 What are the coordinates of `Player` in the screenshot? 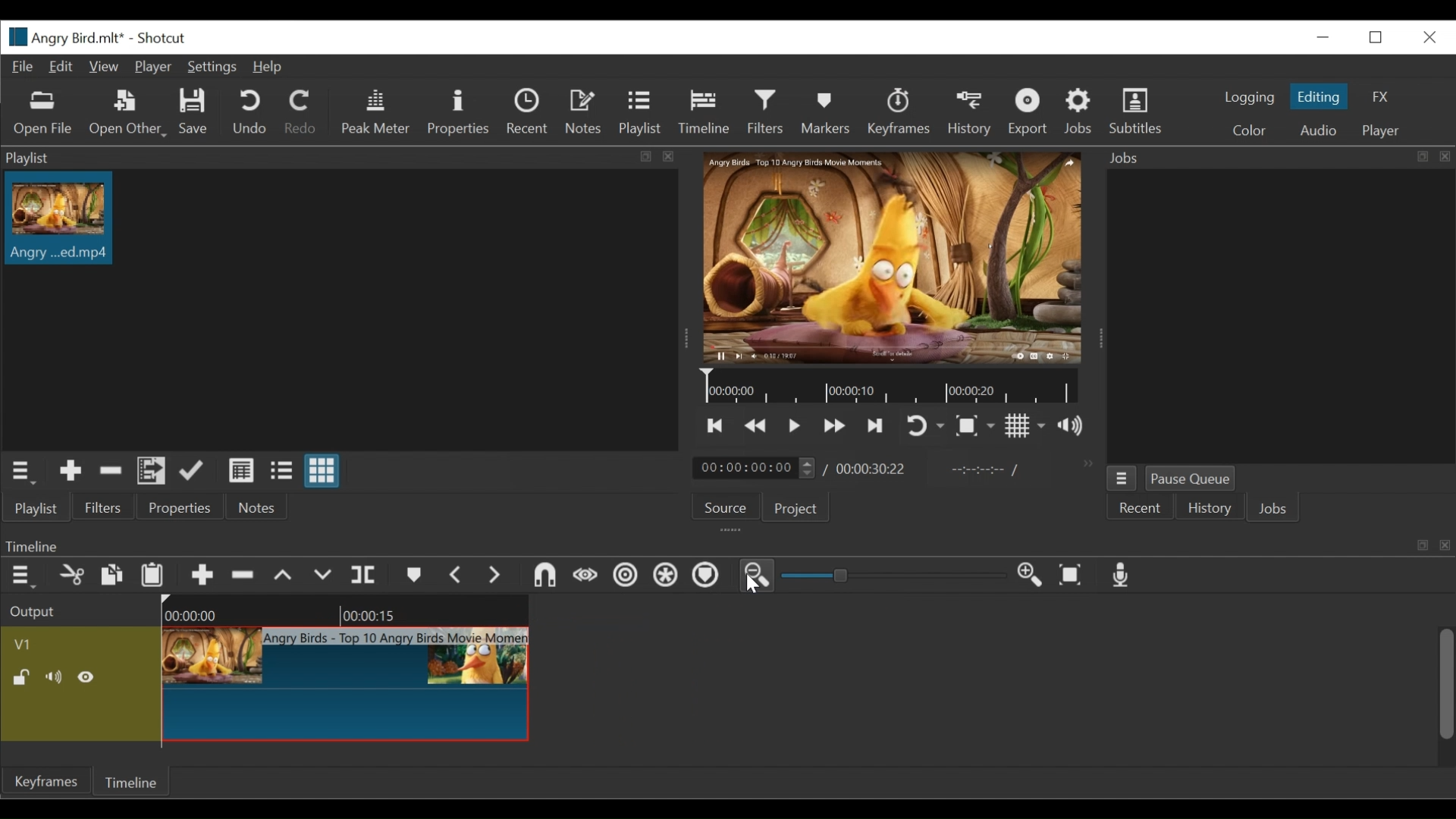 It's located at (1380, 131).